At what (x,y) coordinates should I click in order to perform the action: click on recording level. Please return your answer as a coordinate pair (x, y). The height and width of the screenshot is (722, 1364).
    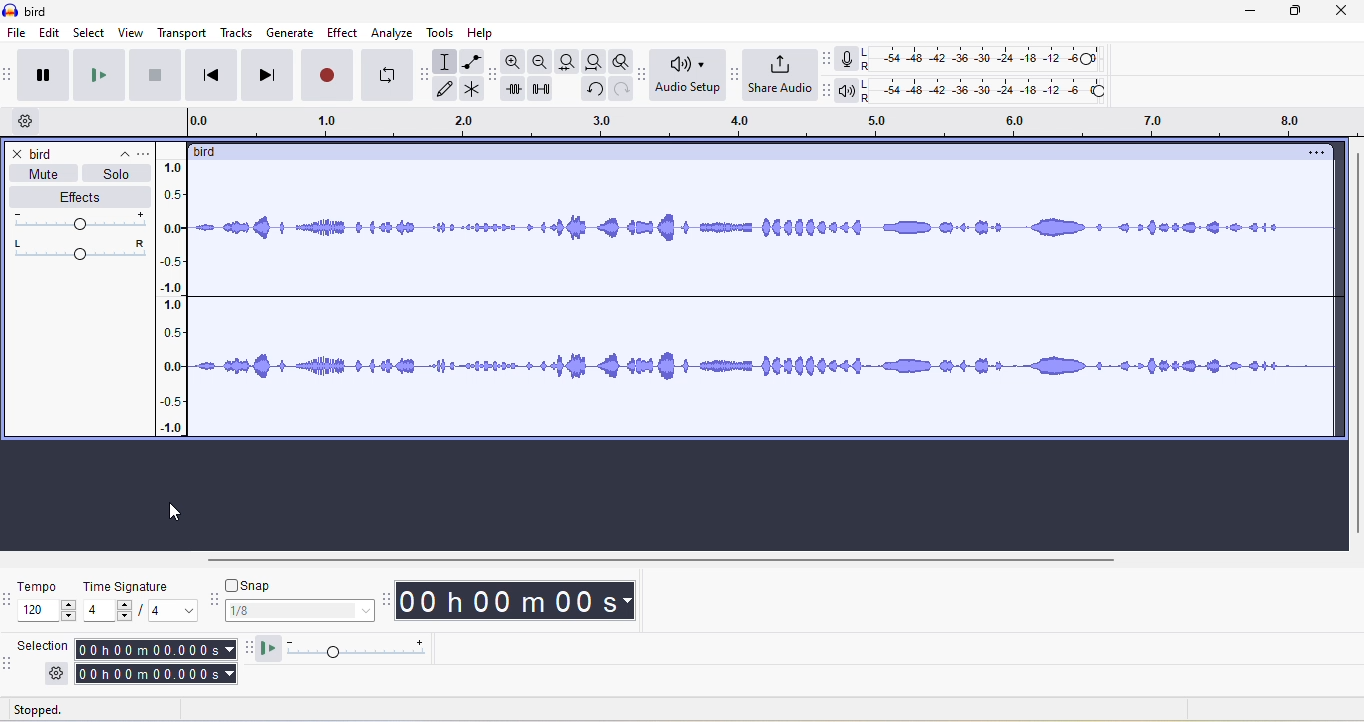
    Looking at the image, I should click on (995, 57).